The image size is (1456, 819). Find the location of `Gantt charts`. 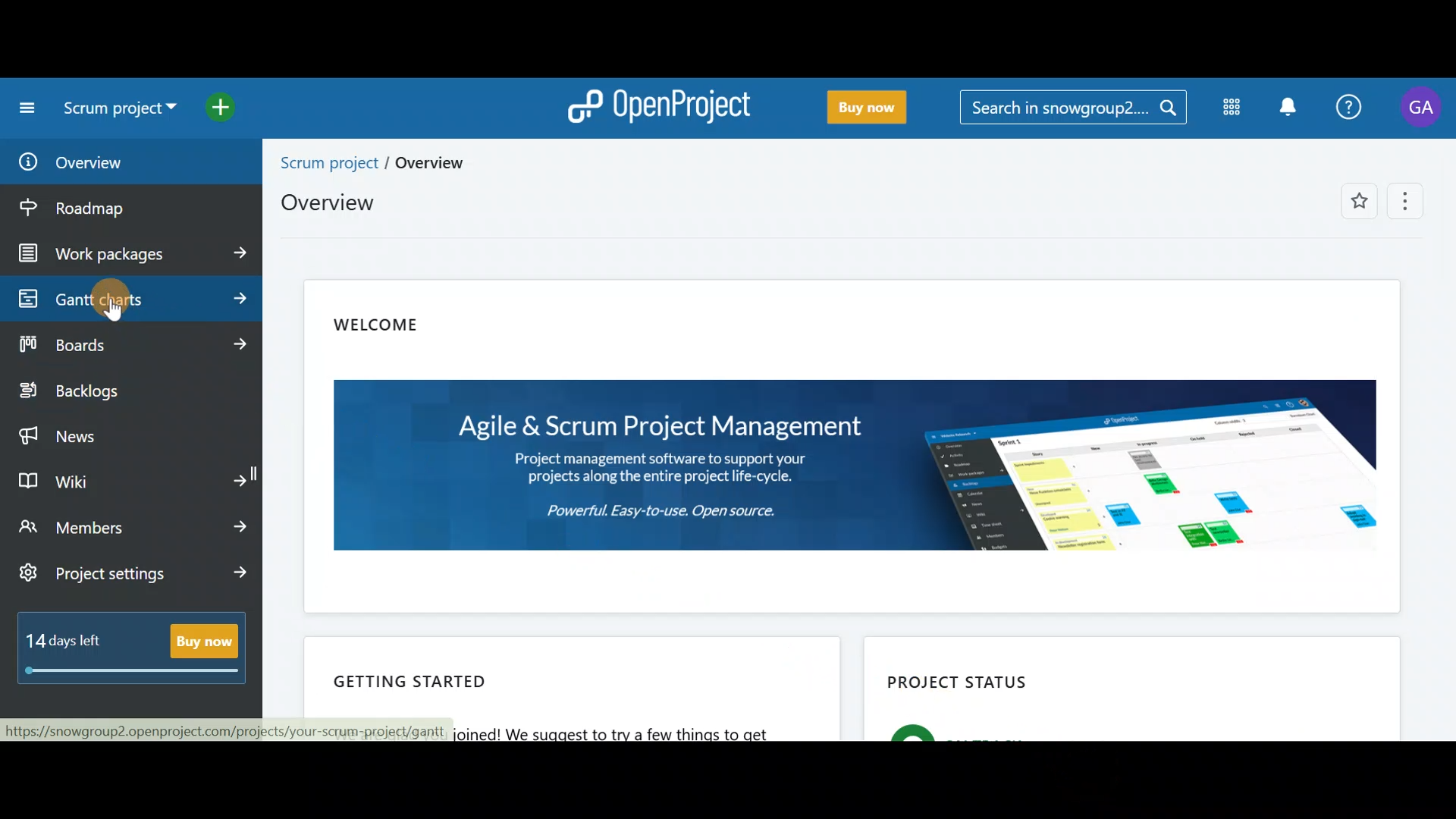

Gantt charts is located at coordinates (128, 297).